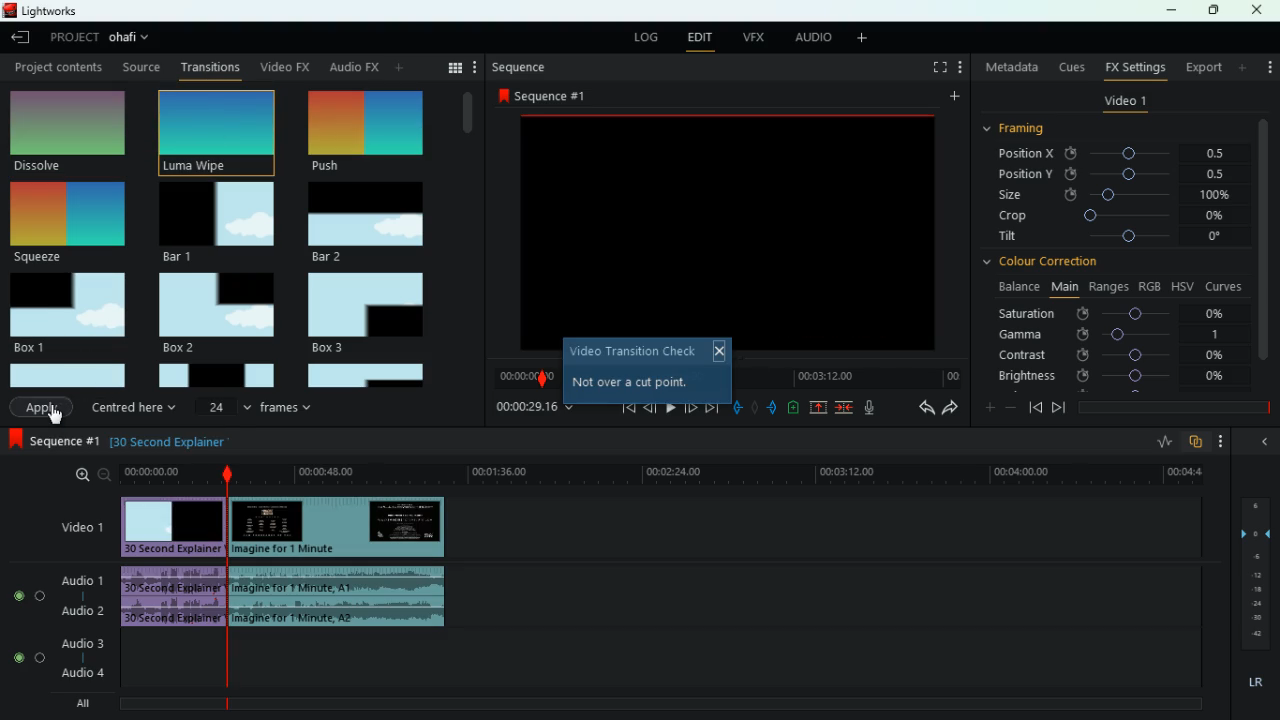 The width and height of the screenshot is (1280, 720). What do you see at coordinates (1125, 104) in the screenshot?
I see `video 1` at bounding box center [1125, 104].